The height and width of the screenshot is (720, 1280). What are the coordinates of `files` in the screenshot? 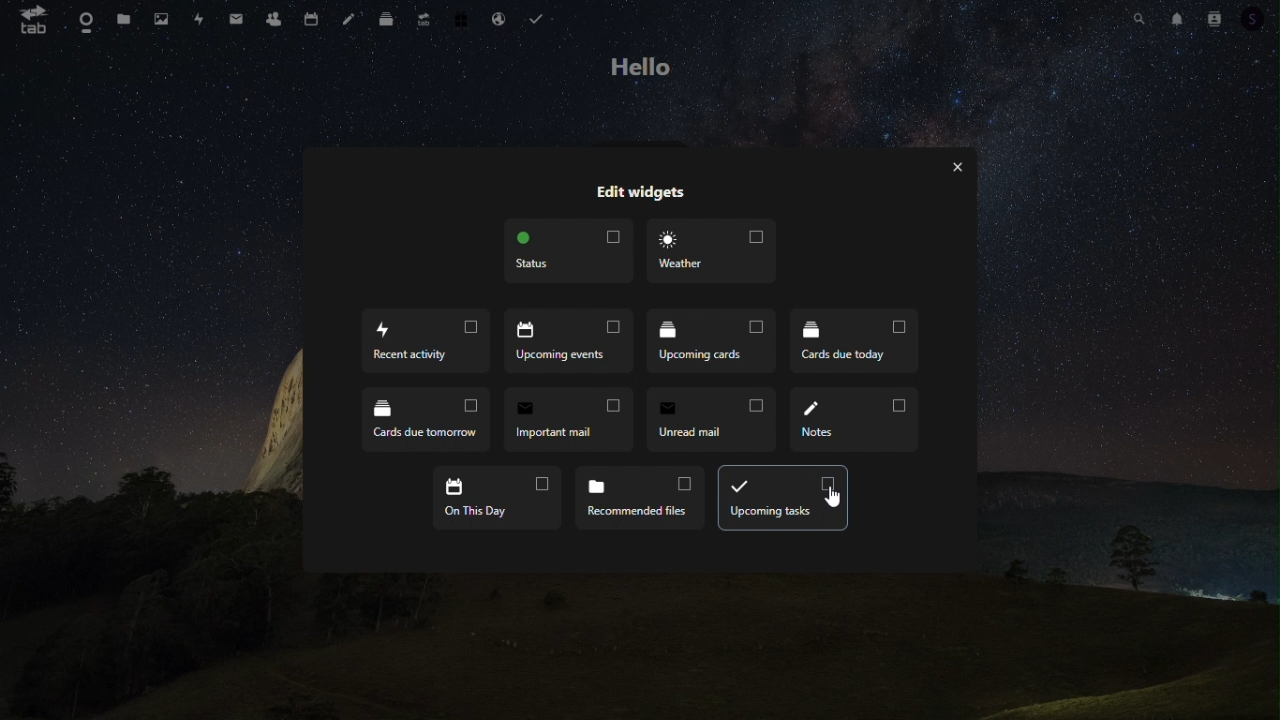 It's located at (123, 19).